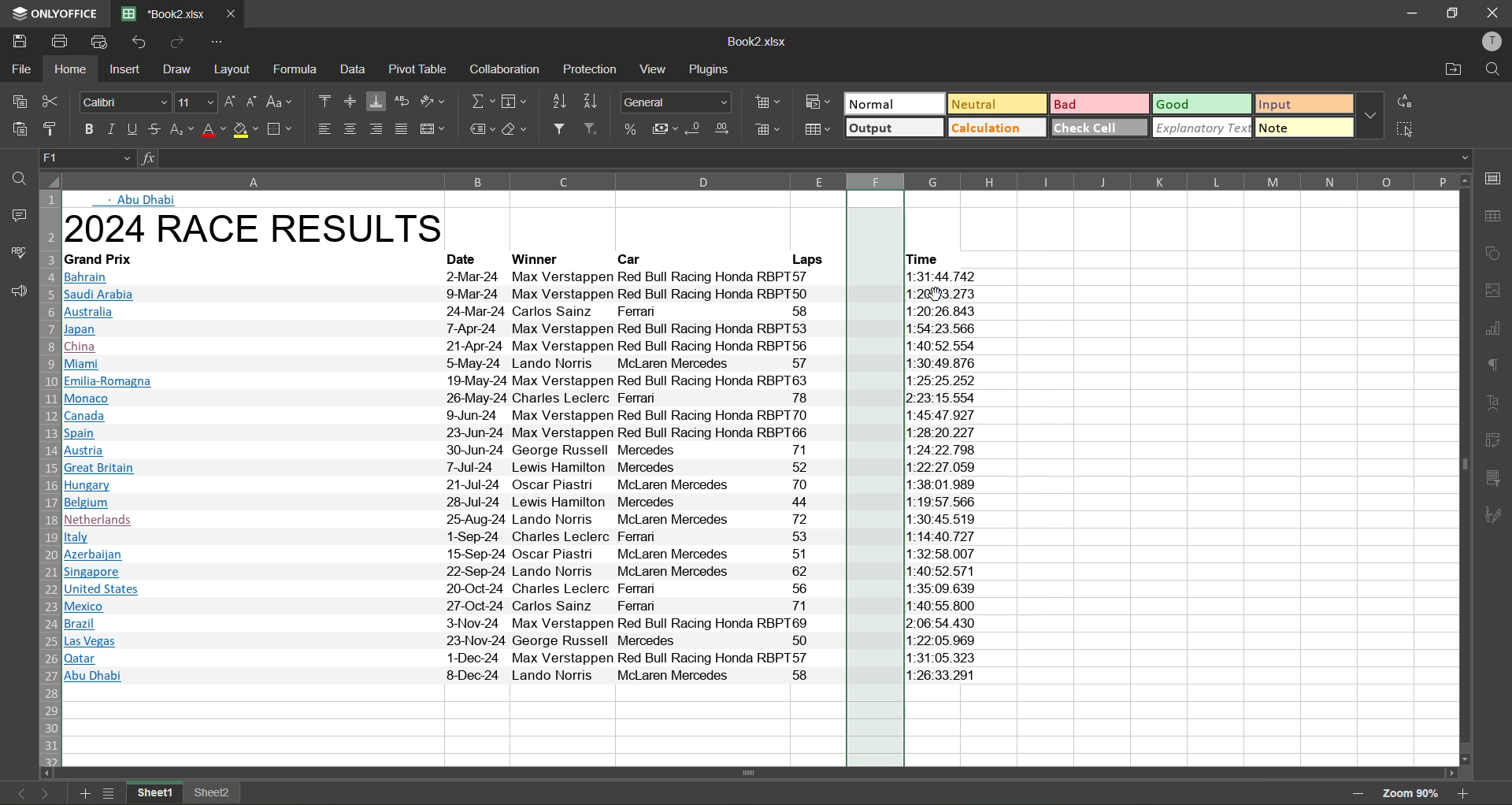  Describe the element at coordinates (124, 102) in the screenshot. I see `font style` at that location.